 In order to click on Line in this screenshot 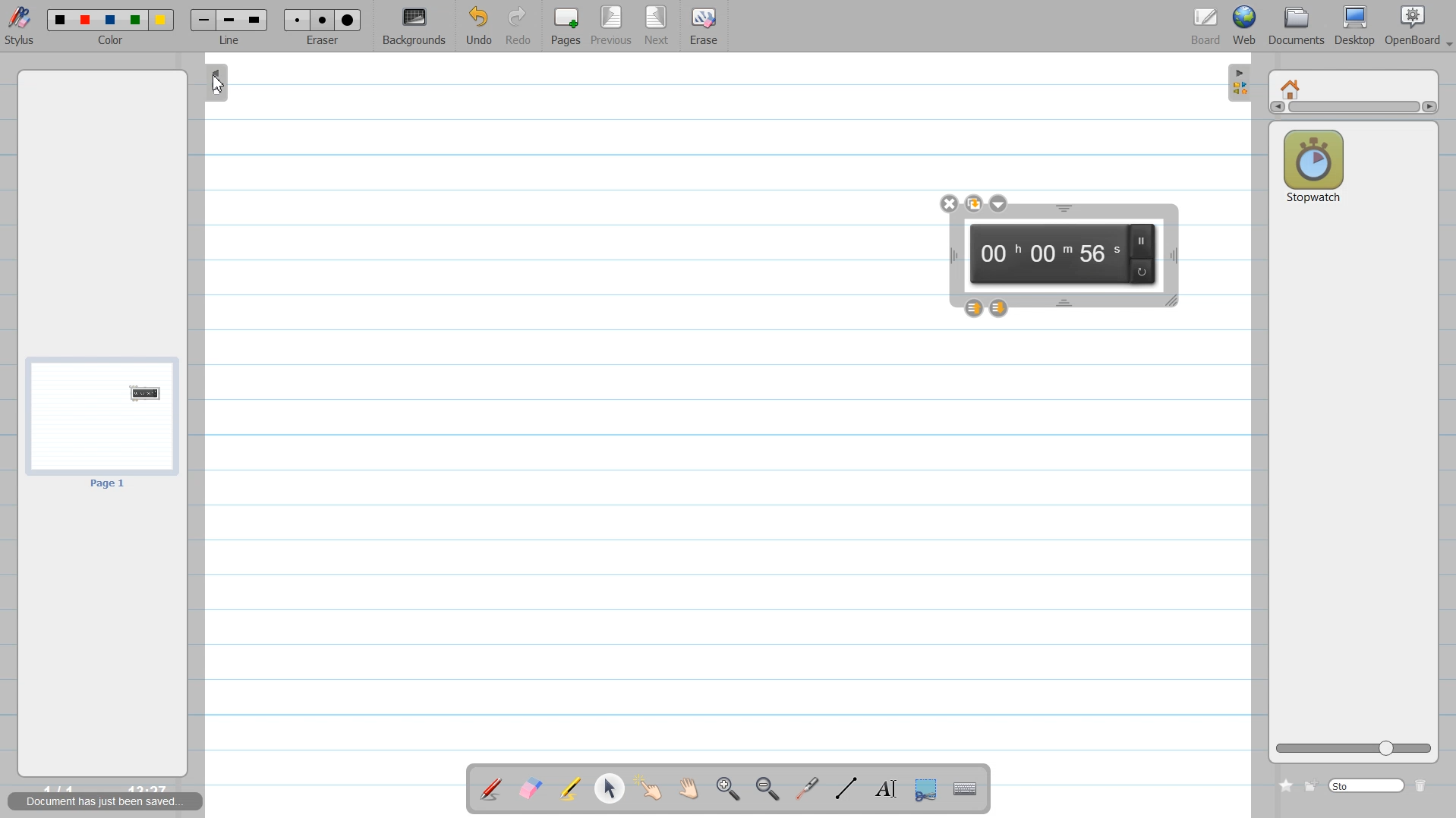, I will do `click(229, 27)`.